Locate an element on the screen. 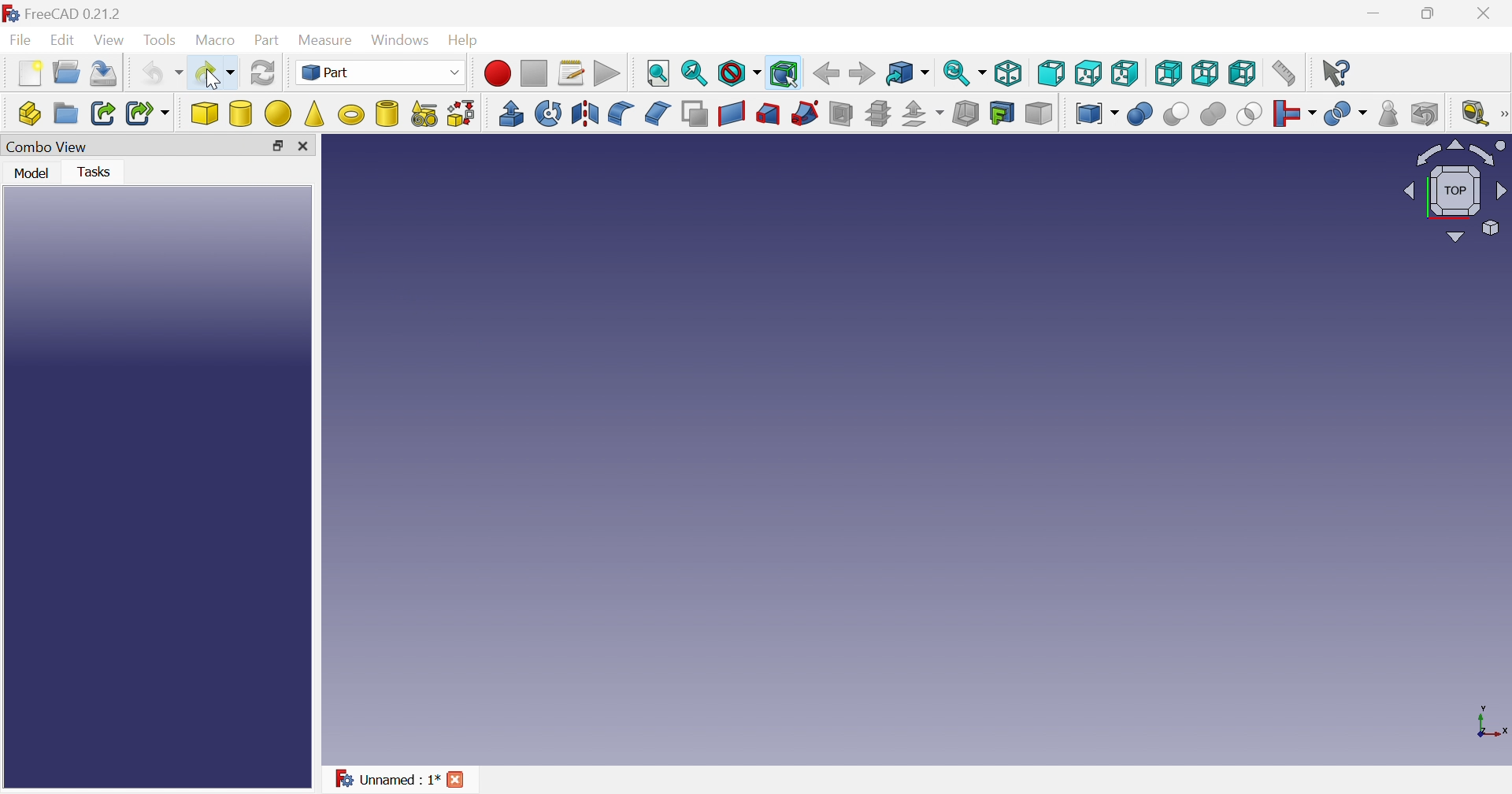 The width and height of the screenshot is (1512, 794). Check geometry is located at coordinates (1389, 113).